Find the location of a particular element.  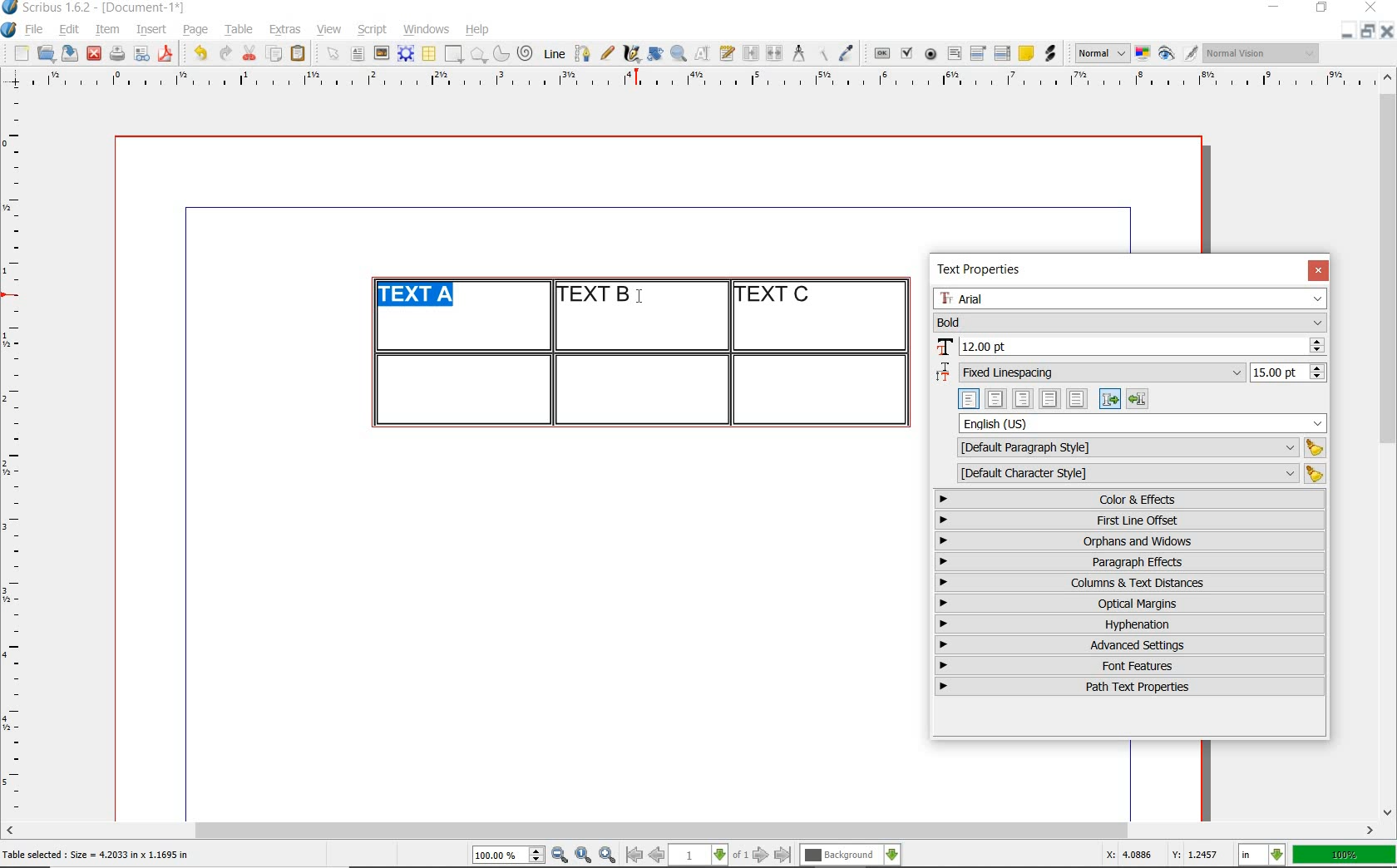

ruler is located at coordinates (709, 81).